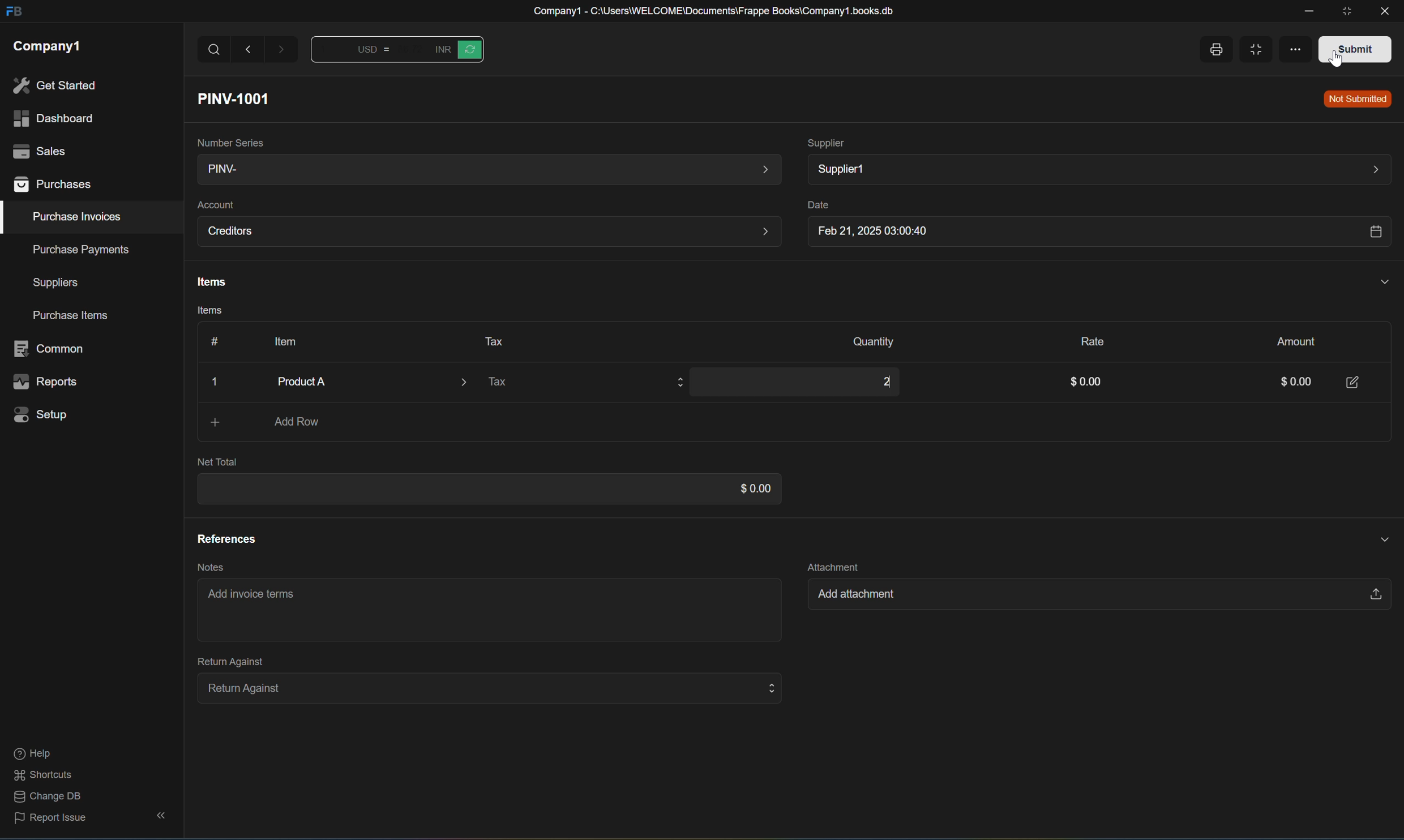 The width and height of the screenshot is (1404, 840). What do you see at coordinates (815, 205) in the screenshot?
I see `Date` at bounding box center [815, 205].